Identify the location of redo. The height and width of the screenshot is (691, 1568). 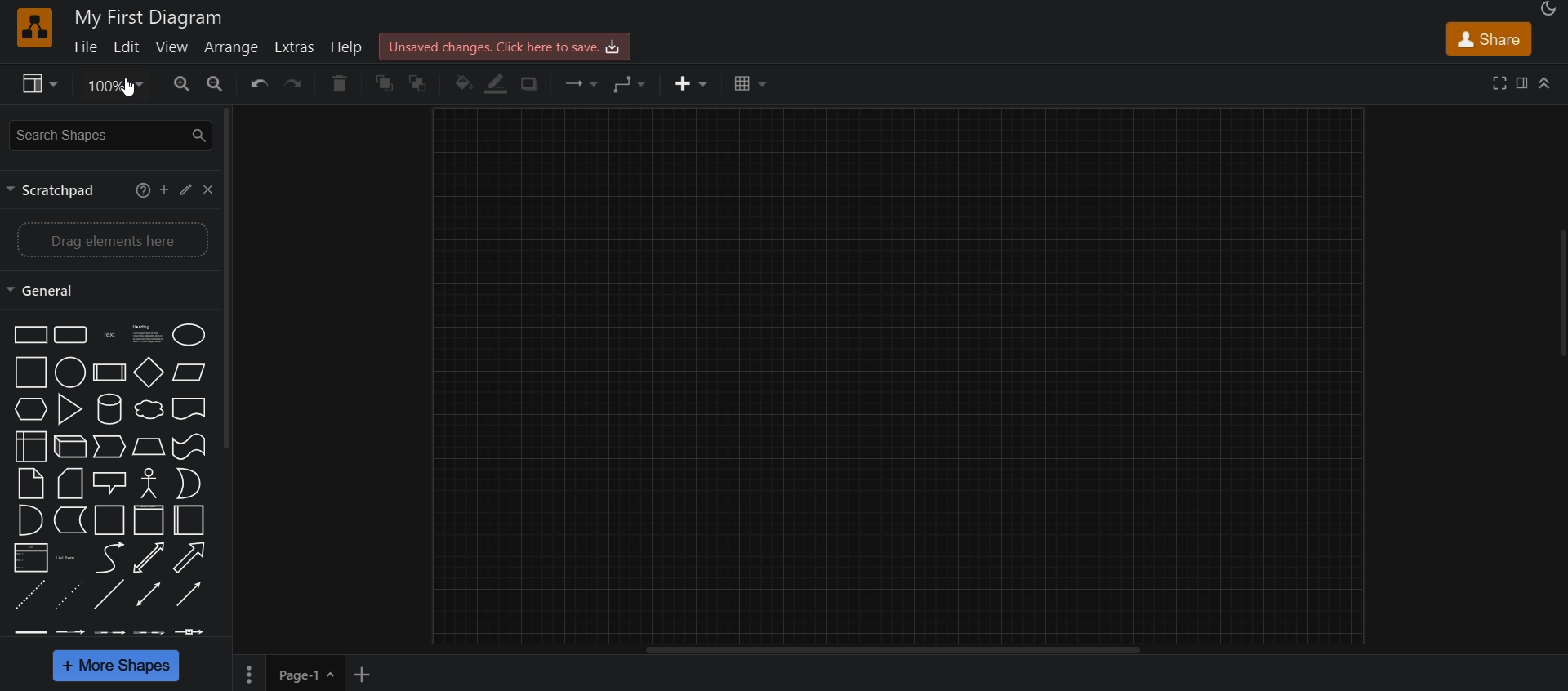
(298, 86).